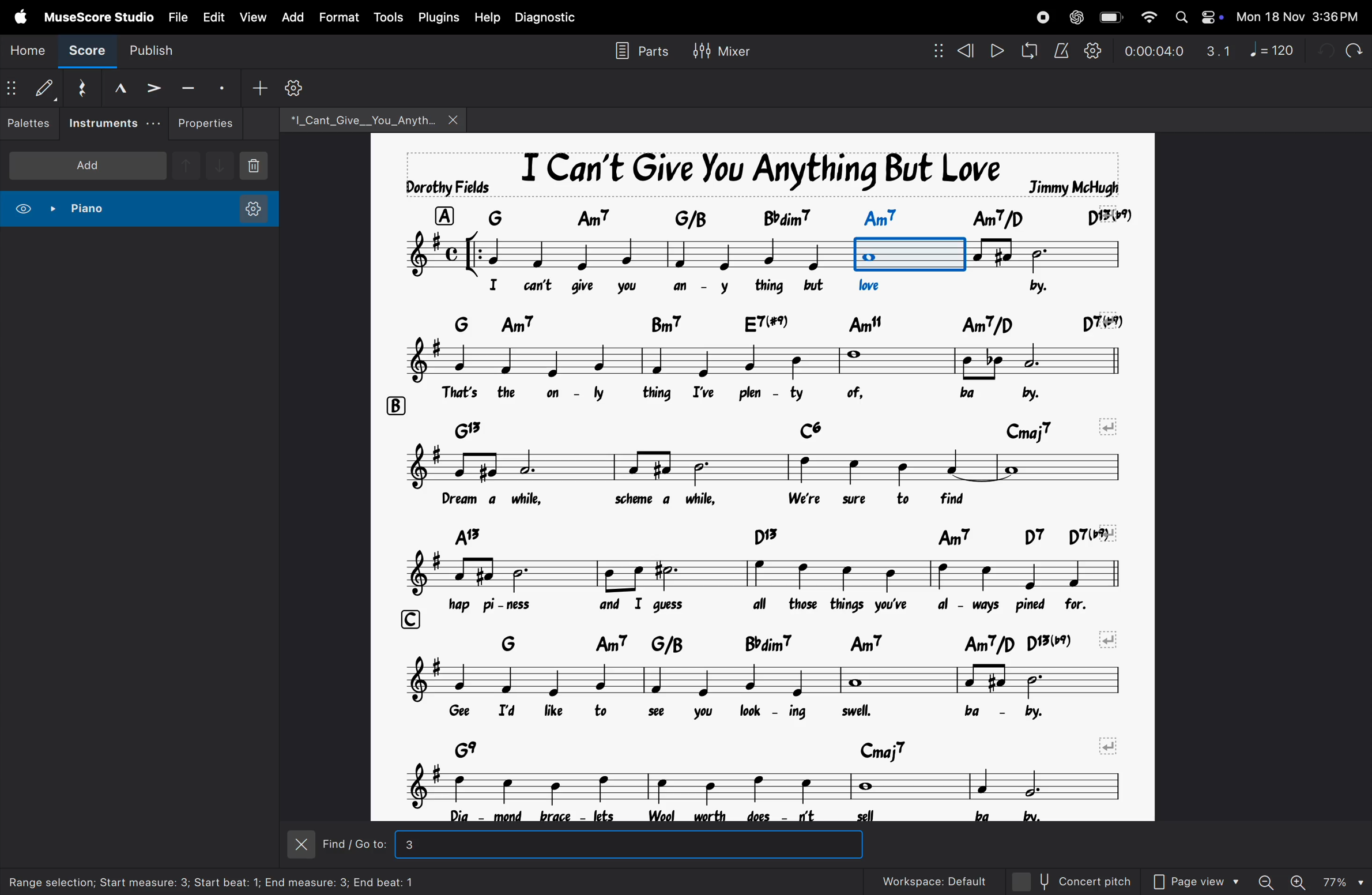 The width and height of the screenshot is (1372, 895). What do you see at coordinates (912, 254) in the screenshot?
I see `note order 3` at bounding box center [912, 254].